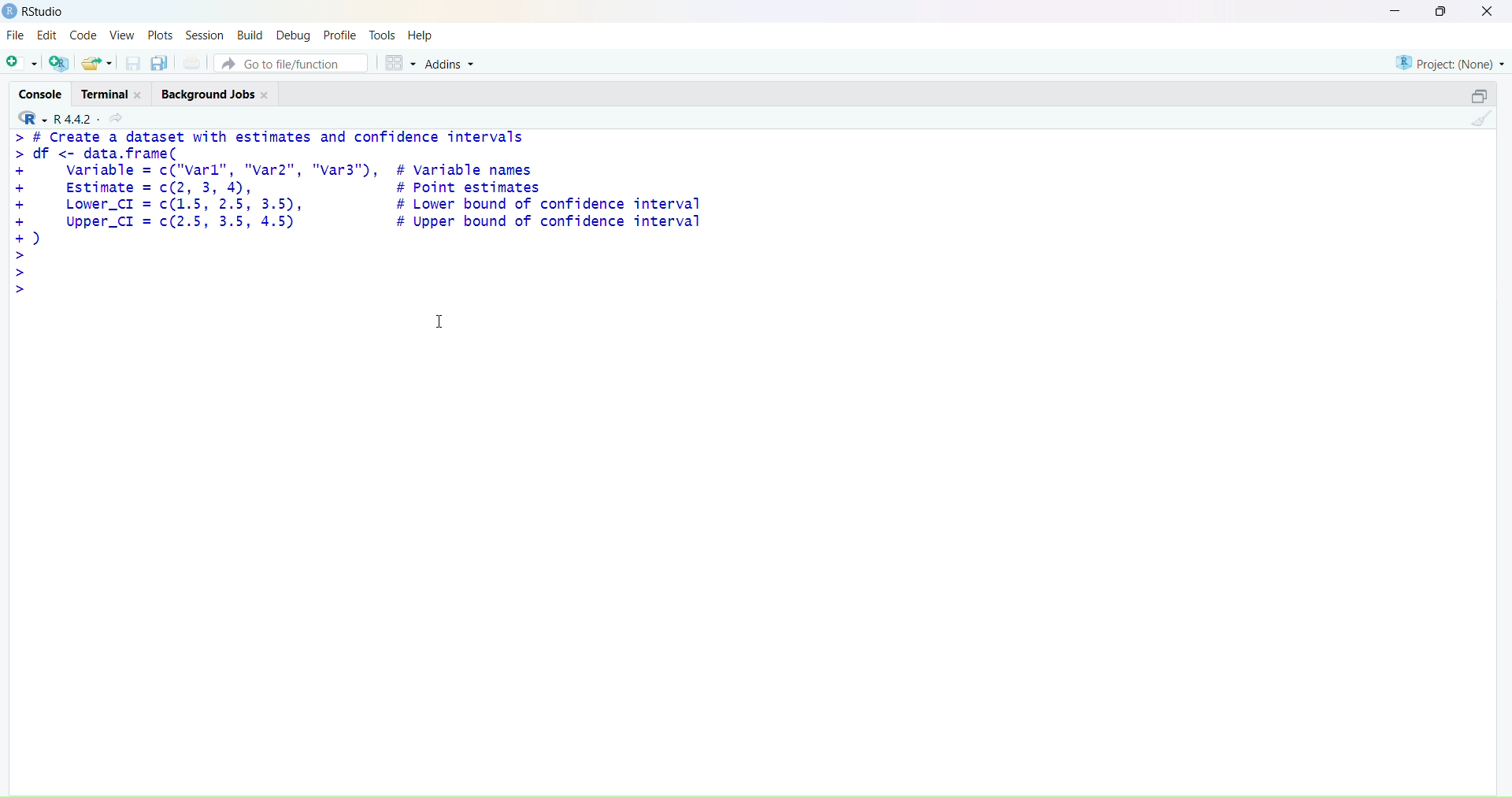 This screenshot has width=1512, height=797. What do you see at coordinates (96, 61) in the screenshot?
I see `open existing file` at bounding box center [96, 61].